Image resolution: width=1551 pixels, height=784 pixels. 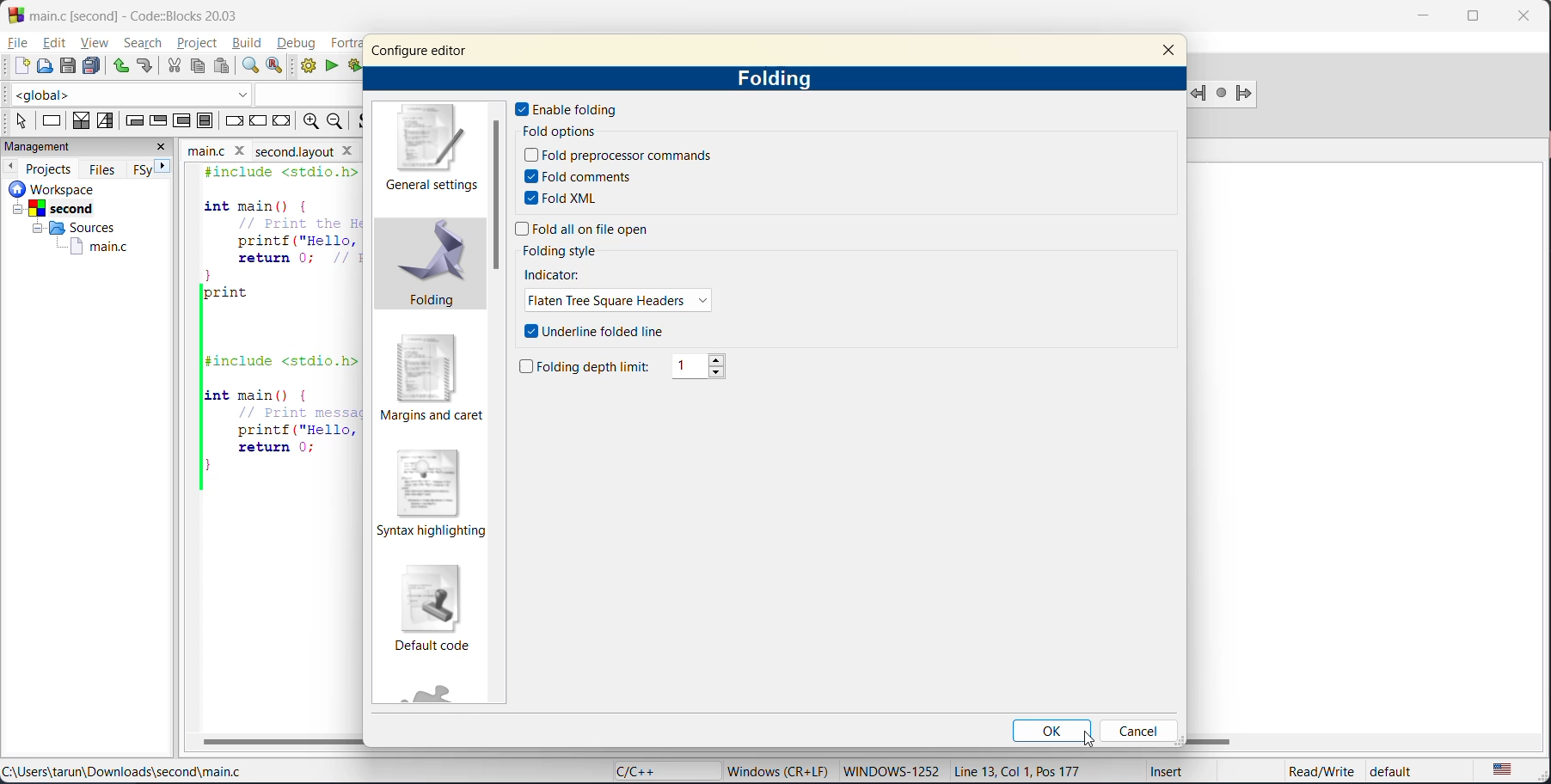 What do you see at coordinates (703, 368) in the screenshot?
I see `1` at bounding box center [703, 368].